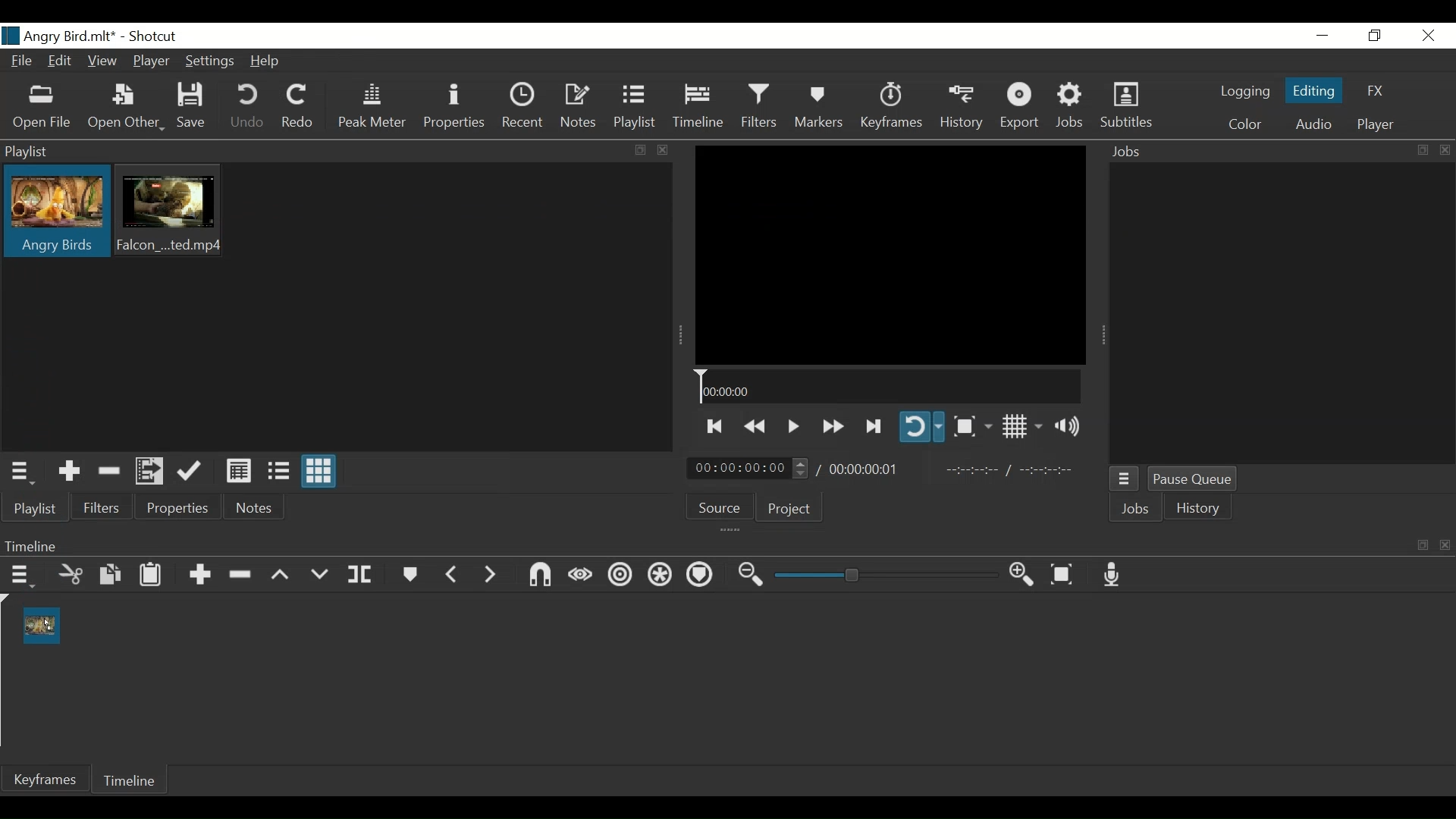 The width and height of the screenshot is (1456, 819). Describe the element at coordinates (1017, 469) in the screenshot. I see `In point` at that location.